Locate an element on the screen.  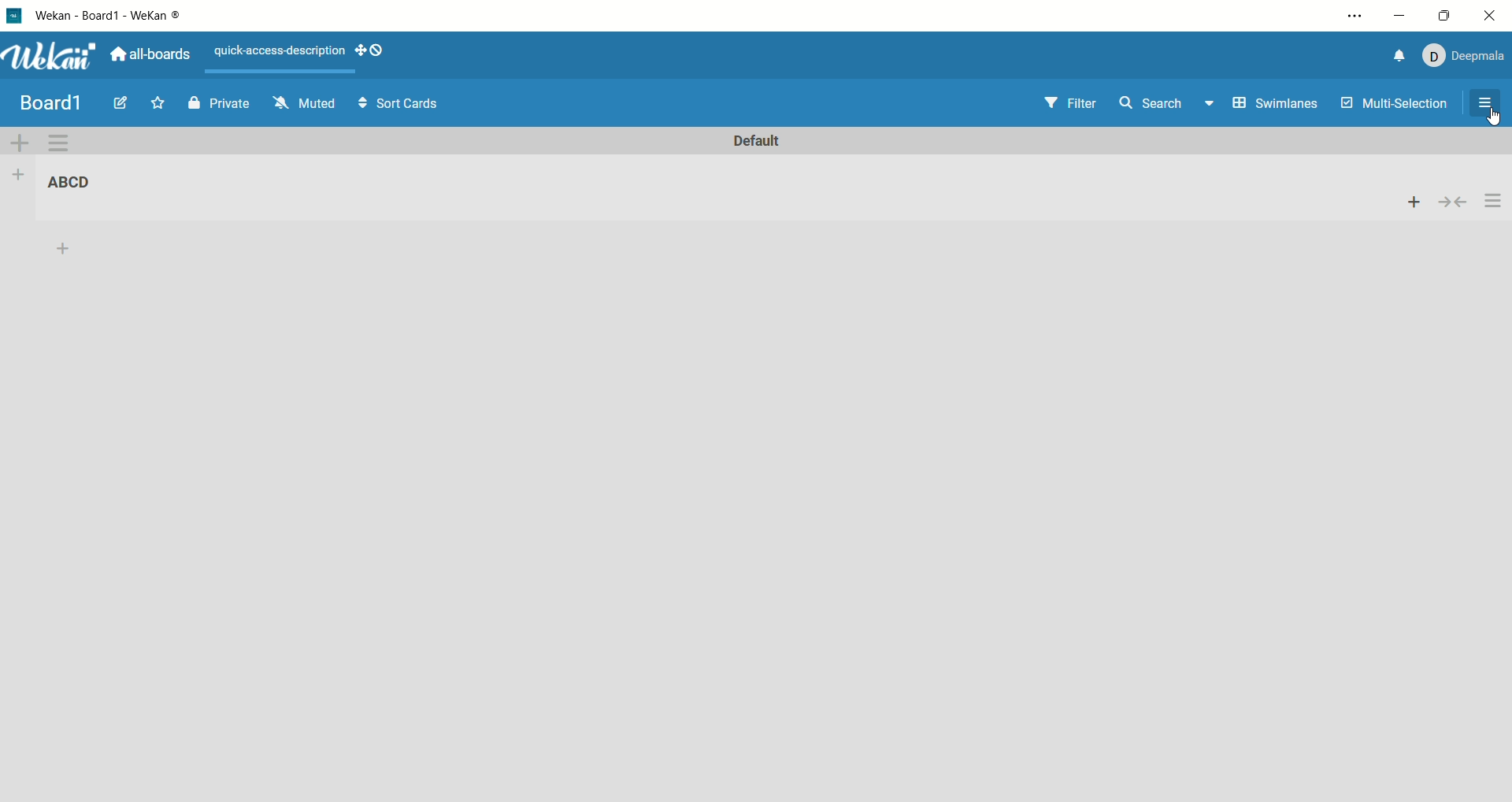
list title is located at coordinates (79, 184).